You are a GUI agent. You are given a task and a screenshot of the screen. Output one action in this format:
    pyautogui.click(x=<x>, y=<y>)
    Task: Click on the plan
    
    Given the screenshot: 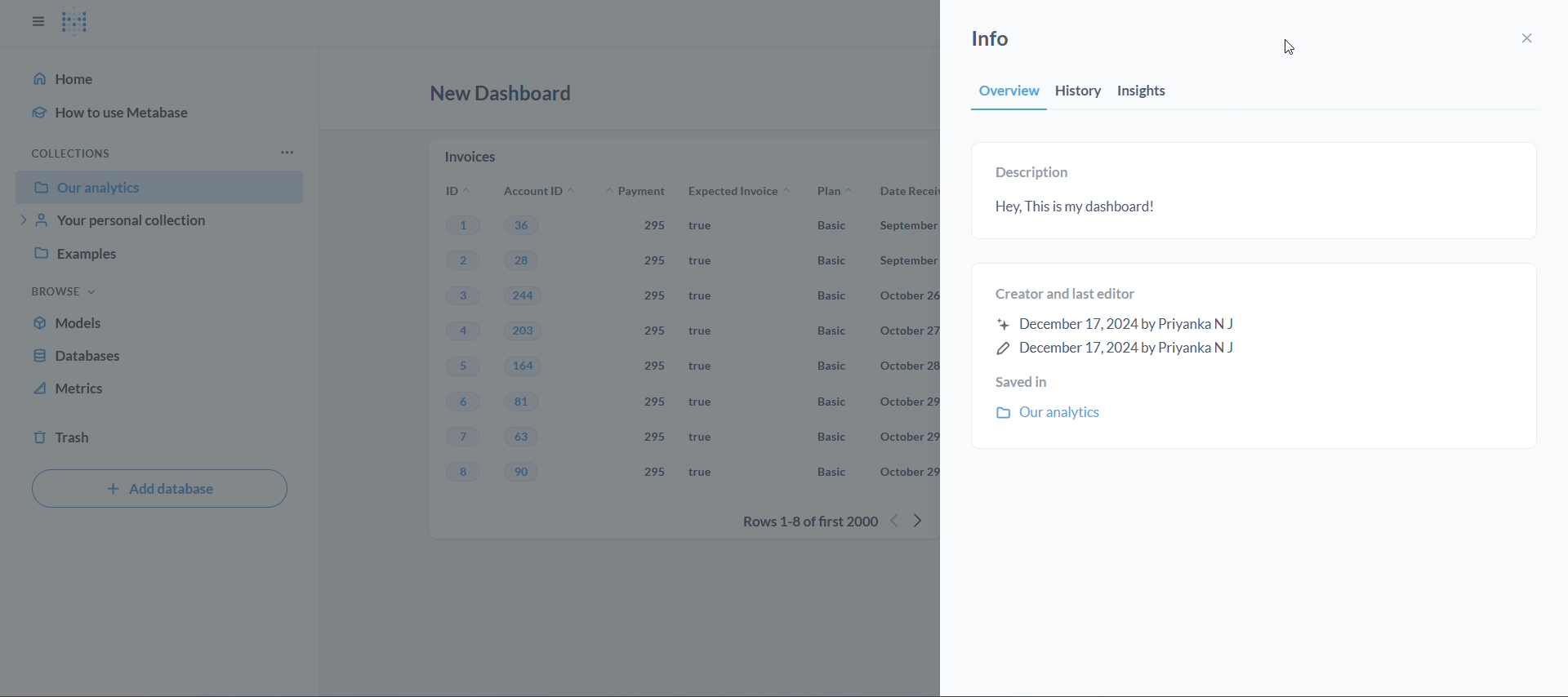 What is the action you would take?
    pyautogui.click(x=831, y=193)
    